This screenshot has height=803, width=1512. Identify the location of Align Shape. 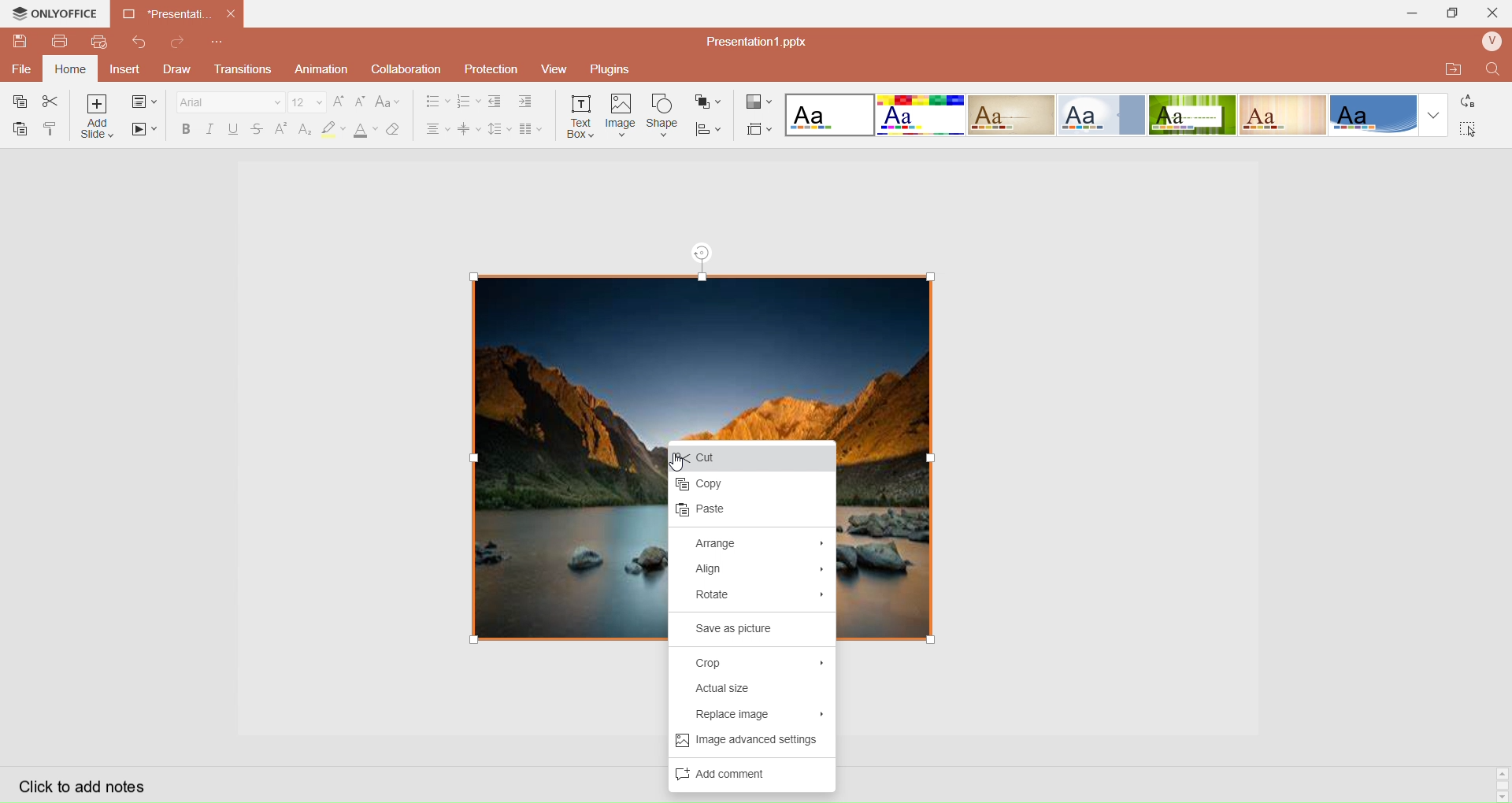
(709, 129).